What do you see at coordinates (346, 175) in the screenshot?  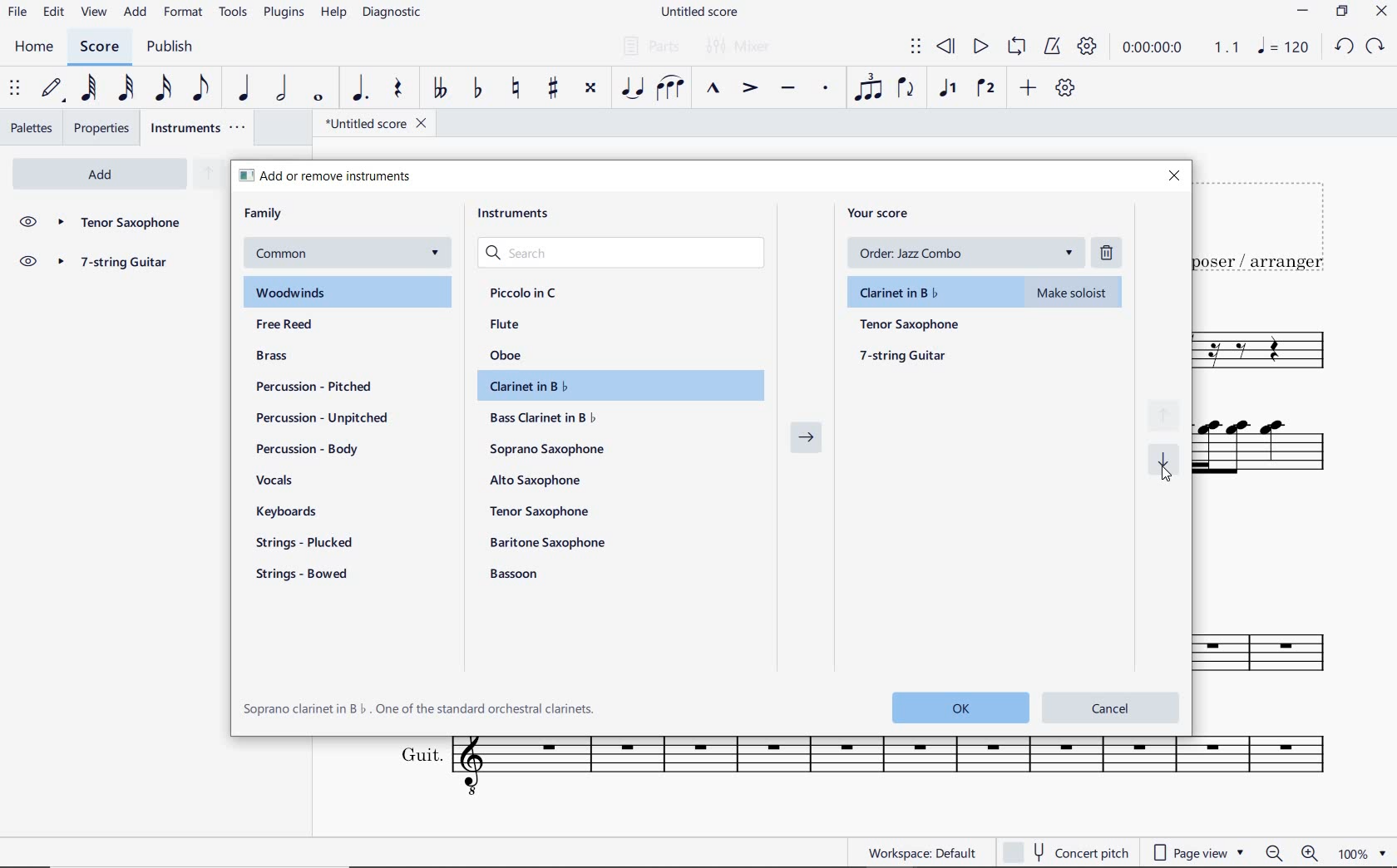 I see `add or remove instruments` at bounding box center [346, 175].